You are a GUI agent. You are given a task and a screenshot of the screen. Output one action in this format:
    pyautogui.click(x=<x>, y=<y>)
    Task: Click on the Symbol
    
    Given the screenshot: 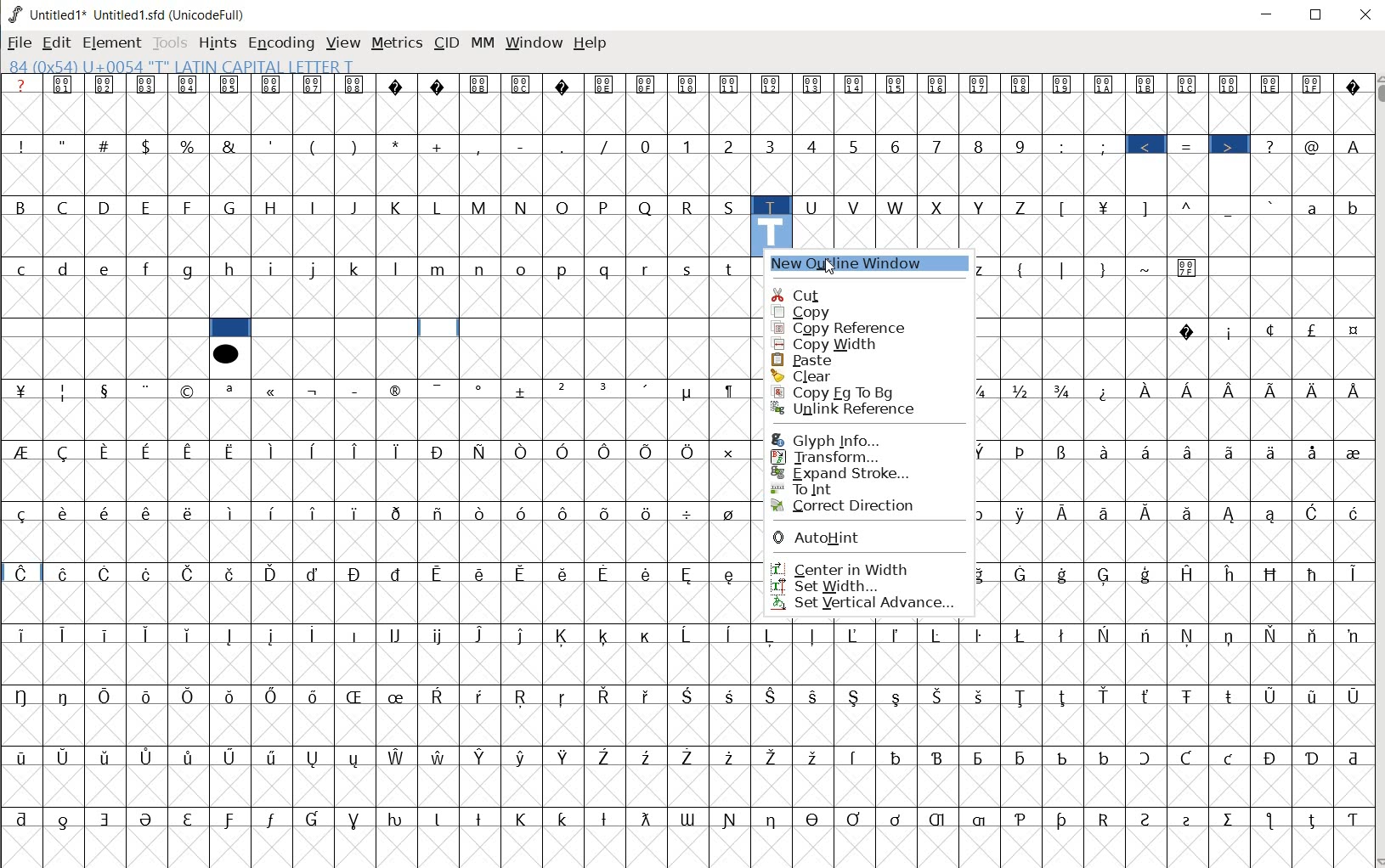 What is the action you would take?
    pyautogui.click(x=982, y=757)
    